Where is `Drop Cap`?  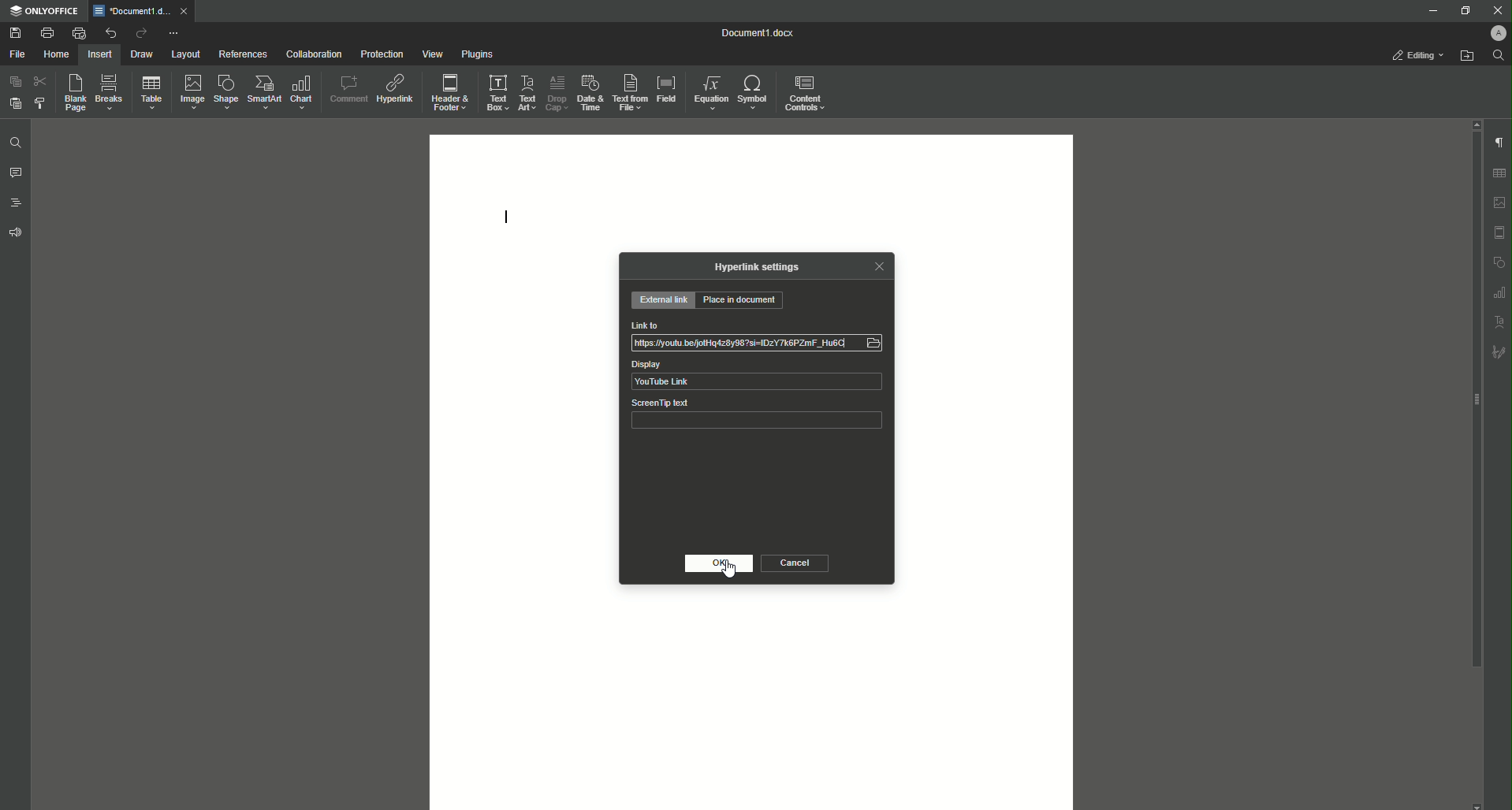 Drop Cap is located at coordinates (557, 92).